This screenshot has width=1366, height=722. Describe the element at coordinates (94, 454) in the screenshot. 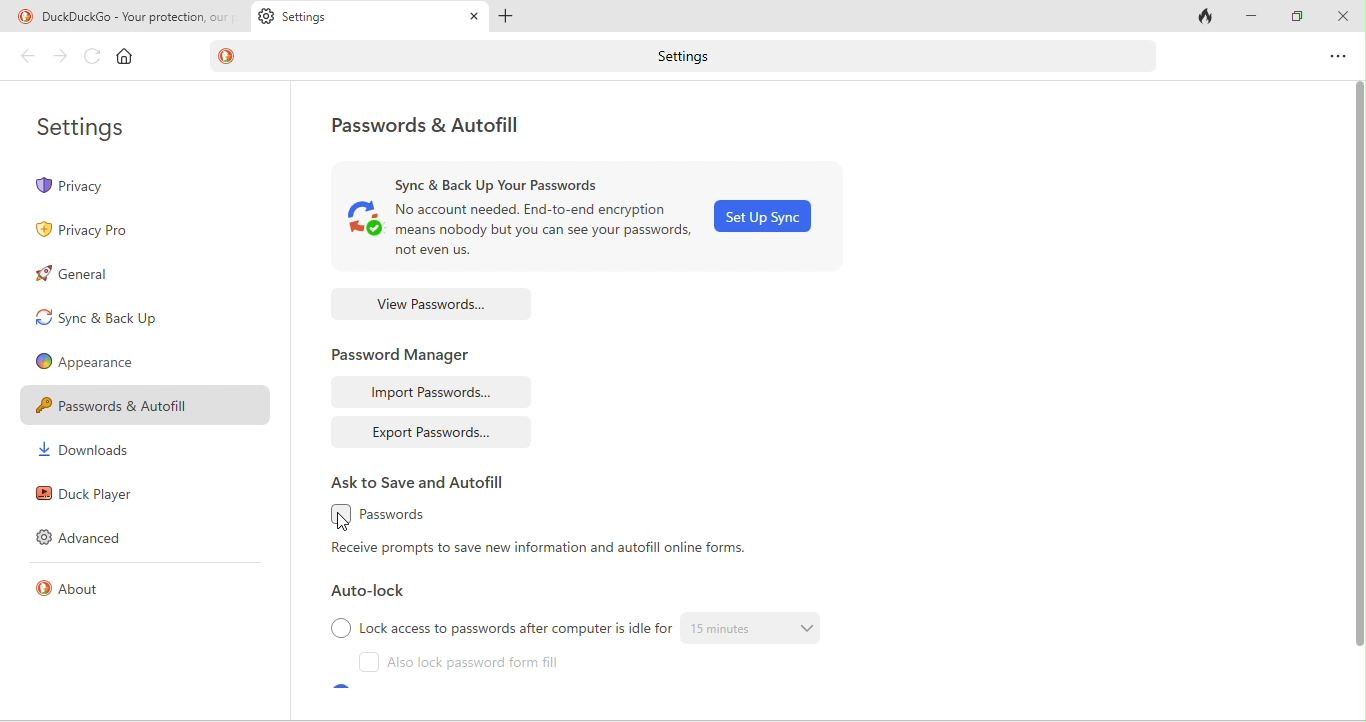

I see `downloads` at that location.